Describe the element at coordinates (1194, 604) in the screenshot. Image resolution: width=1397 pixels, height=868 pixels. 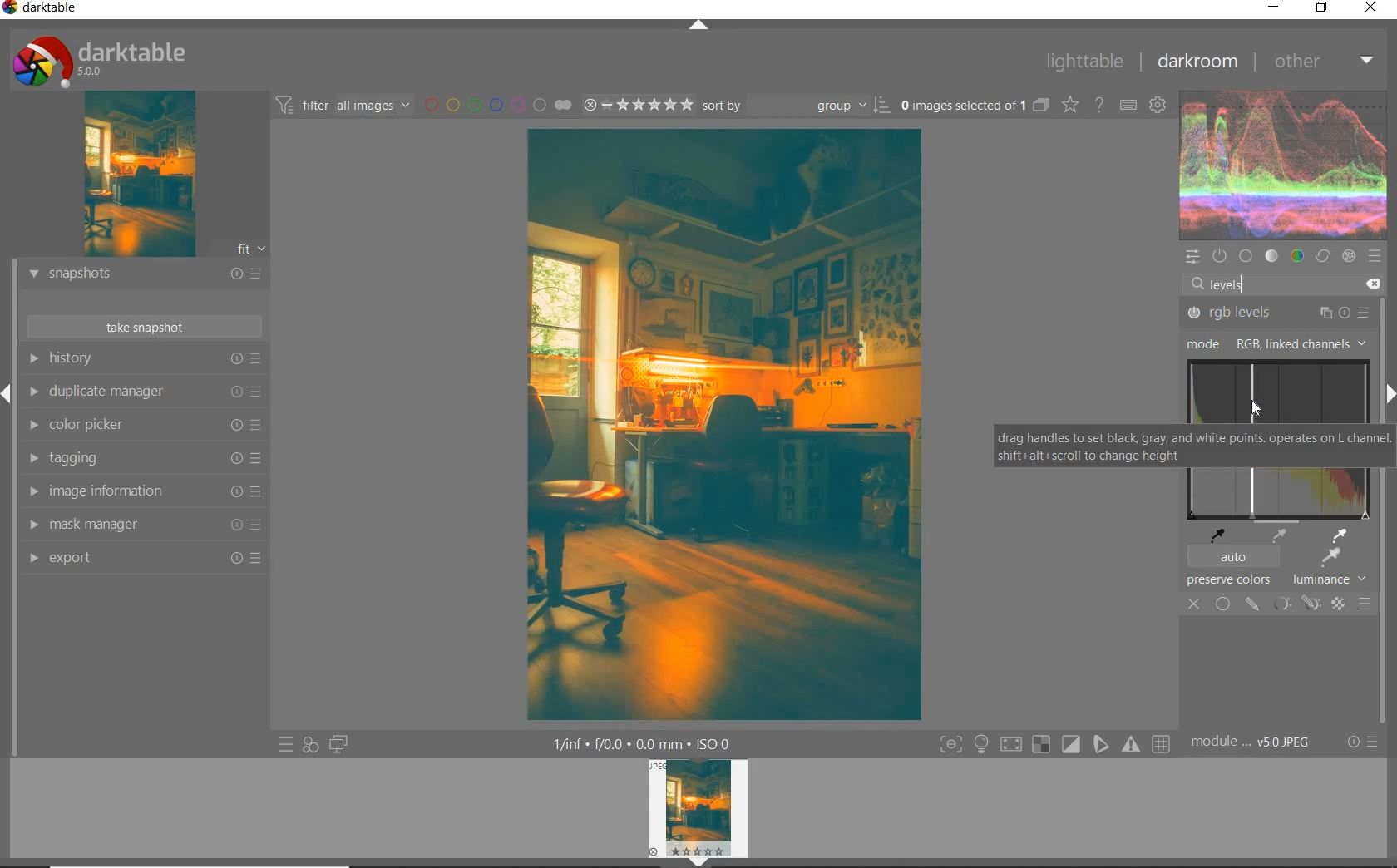
I see `off` at that location.